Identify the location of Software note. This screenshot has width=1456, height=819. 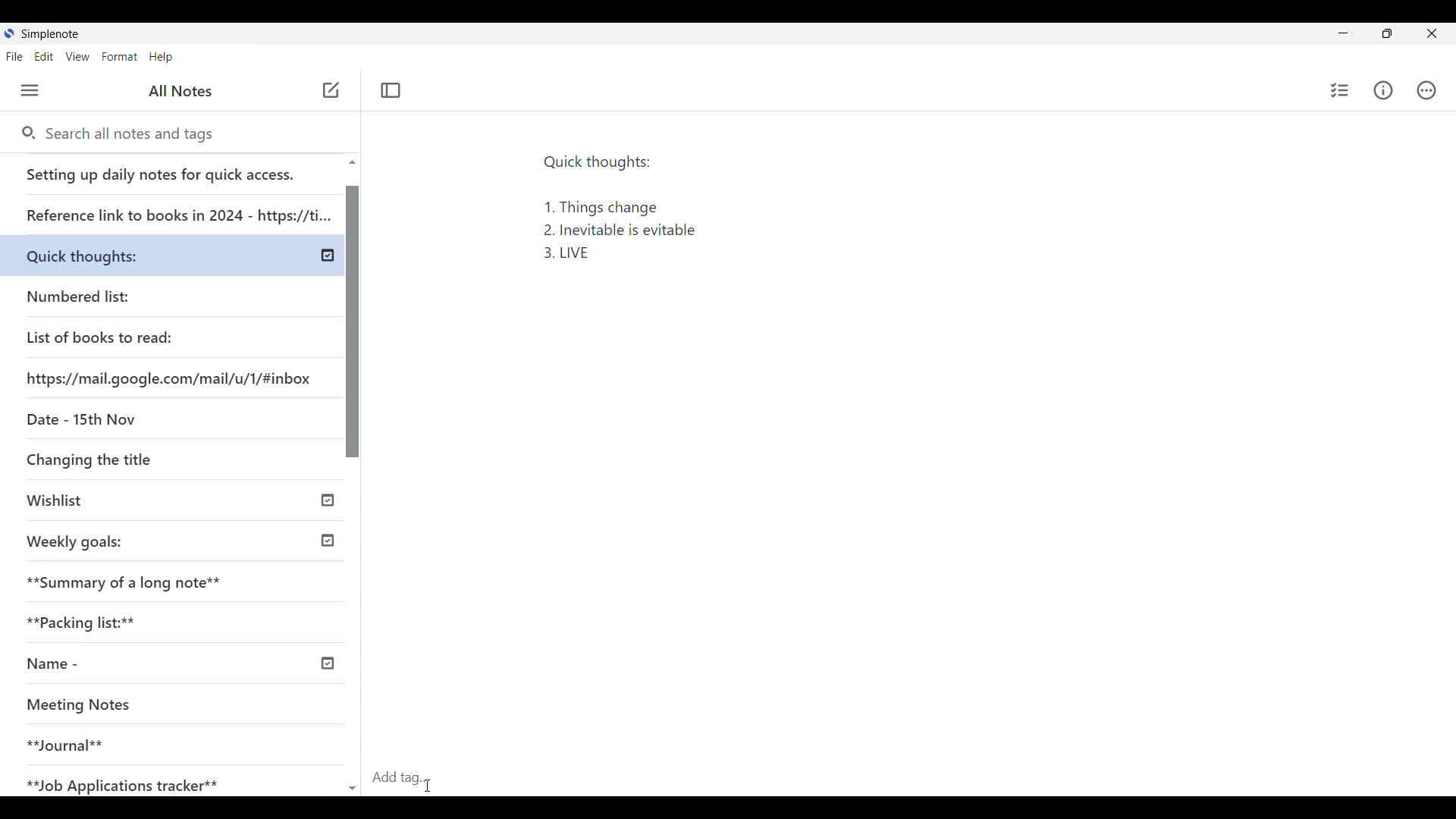
(52, 34).